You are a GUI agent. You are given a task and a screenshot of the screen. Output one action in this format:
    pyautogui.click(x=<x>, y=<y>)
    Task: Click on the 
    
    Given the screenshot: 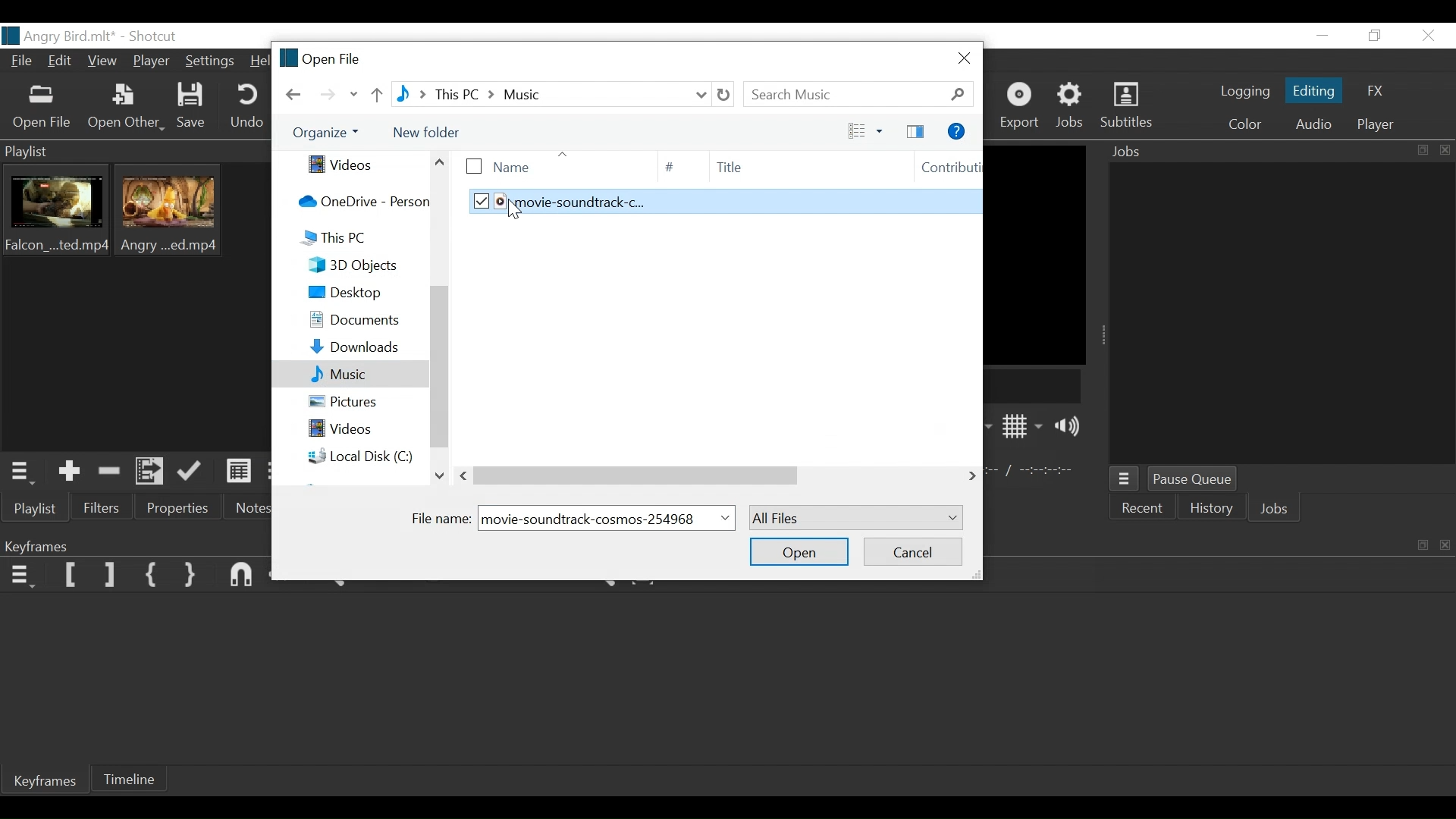 What is the action you would take?
    pyautogui.click(x=692, y=475)
    